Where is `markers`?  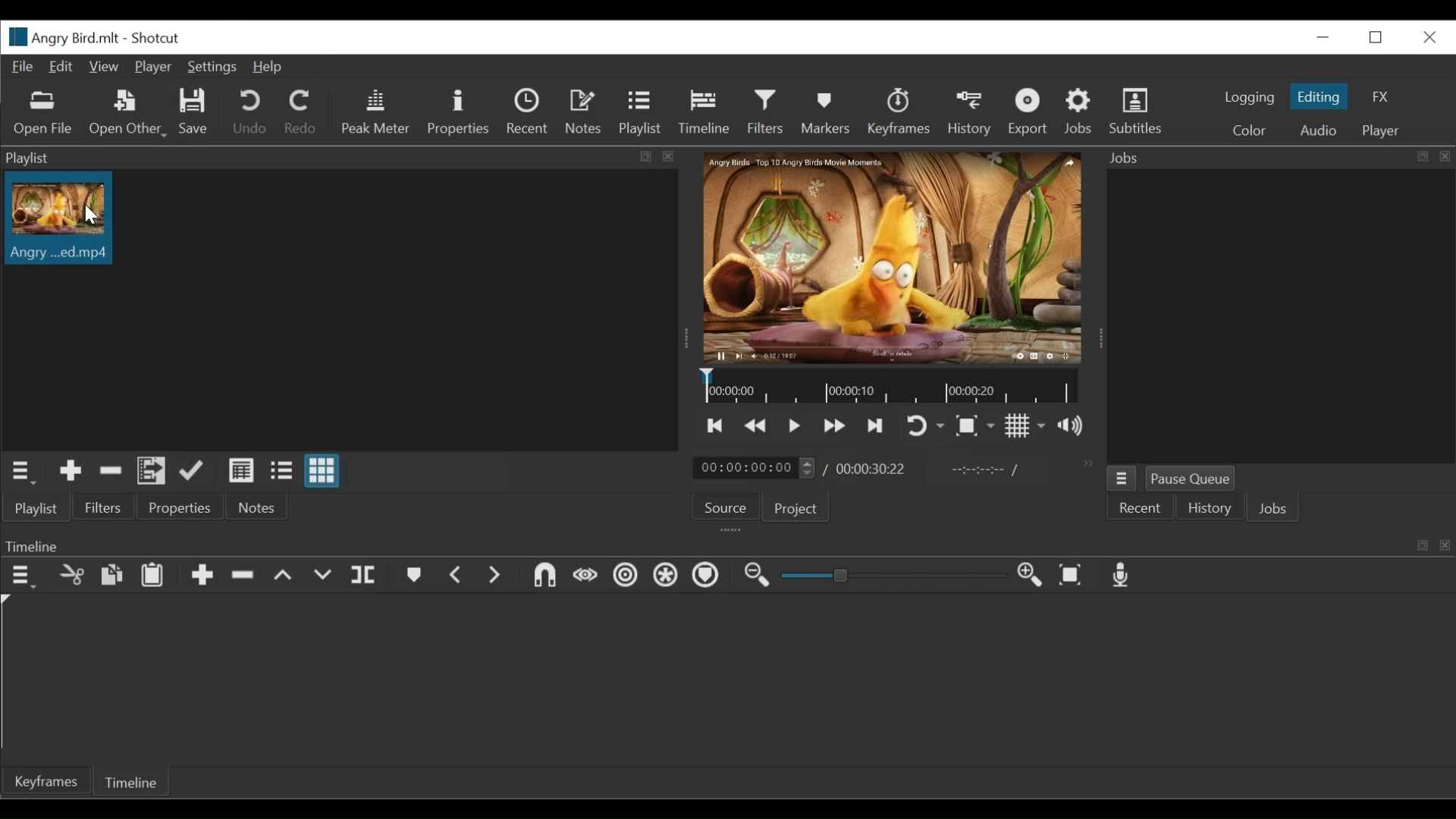 markers is located at coordinates (415, 576).